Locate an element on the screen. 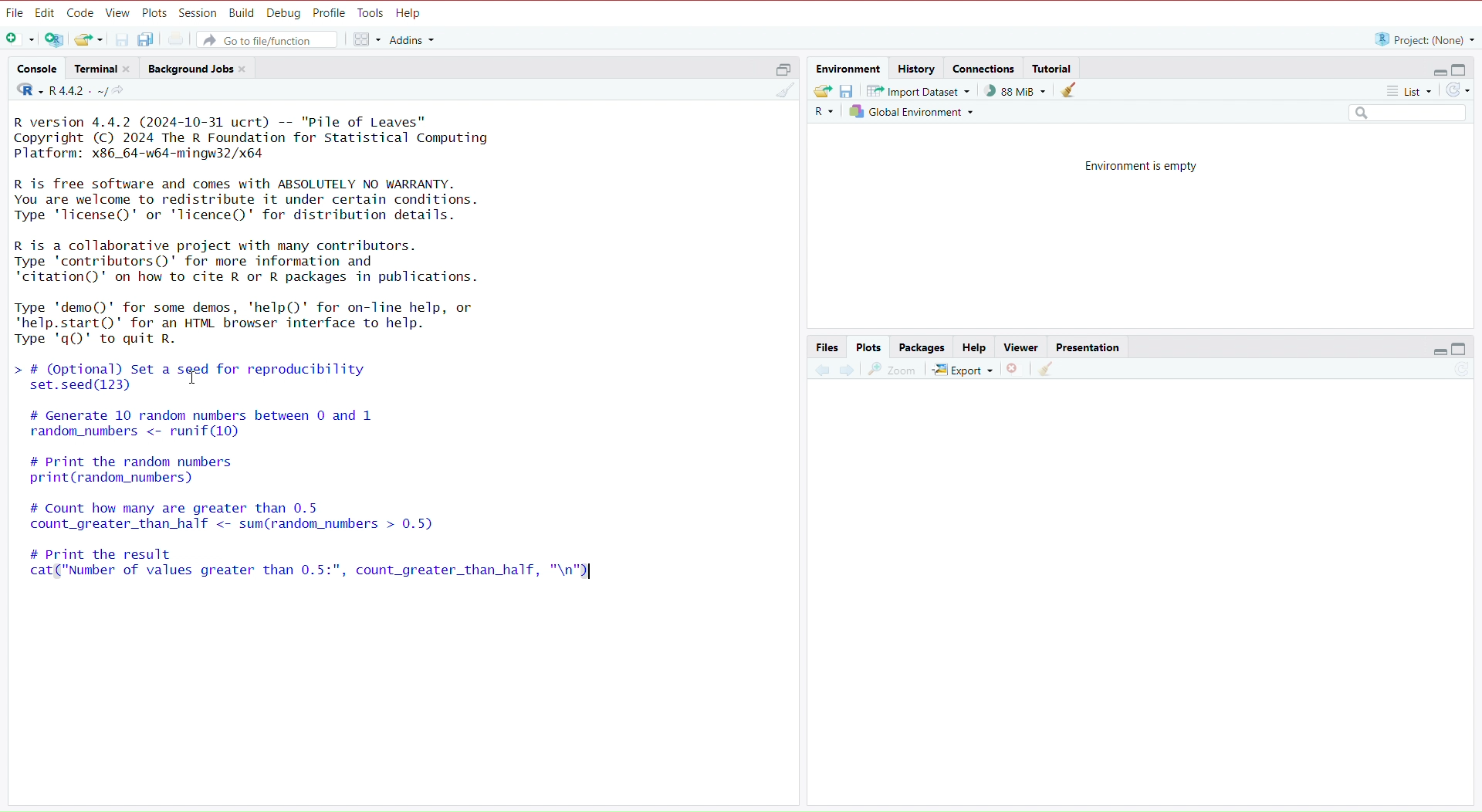  Help is located at coordinates (974, 347).